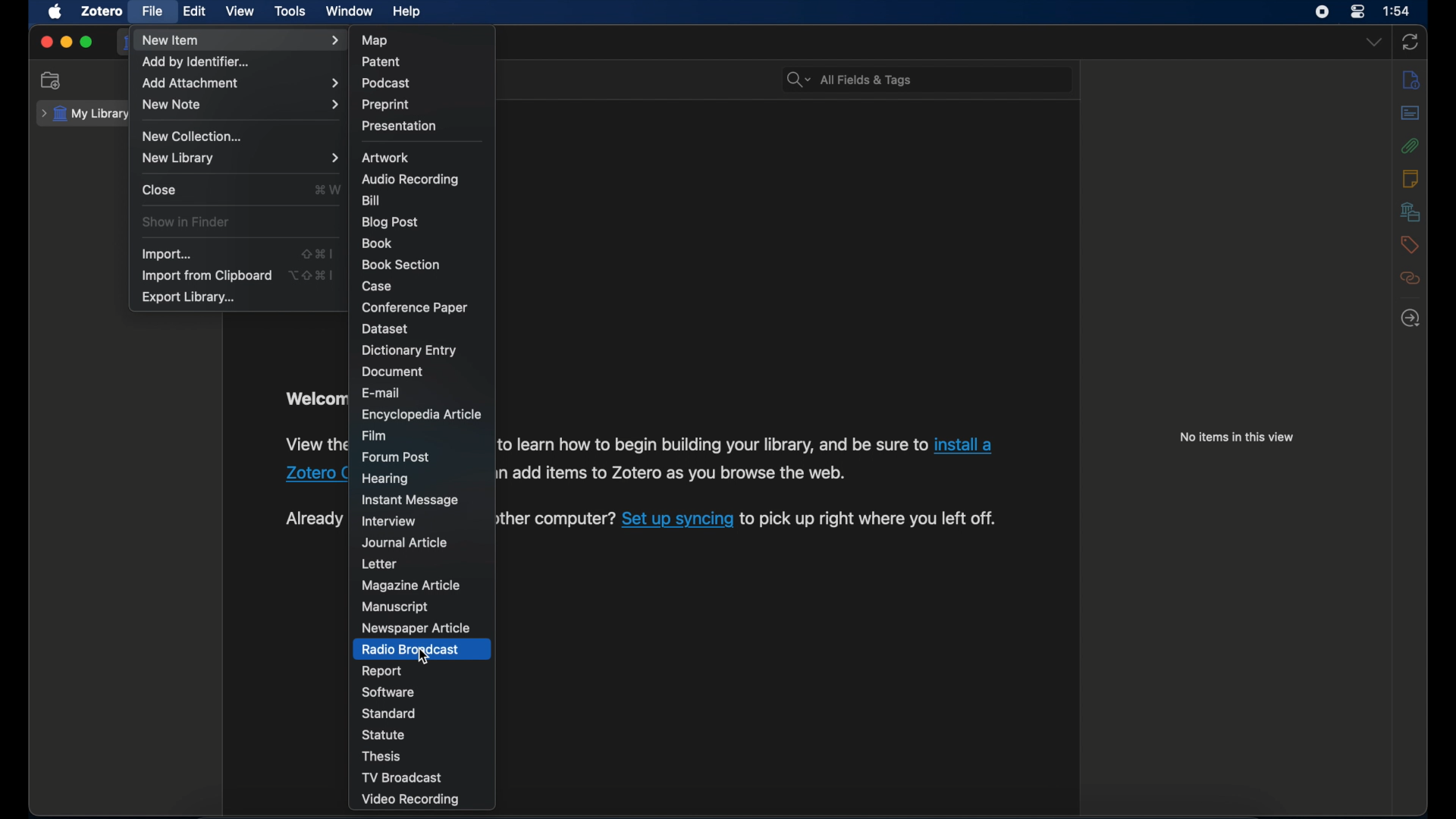 The width and height of the screenshot is (1456, 819). I want to click on new item, so click(240, 40).